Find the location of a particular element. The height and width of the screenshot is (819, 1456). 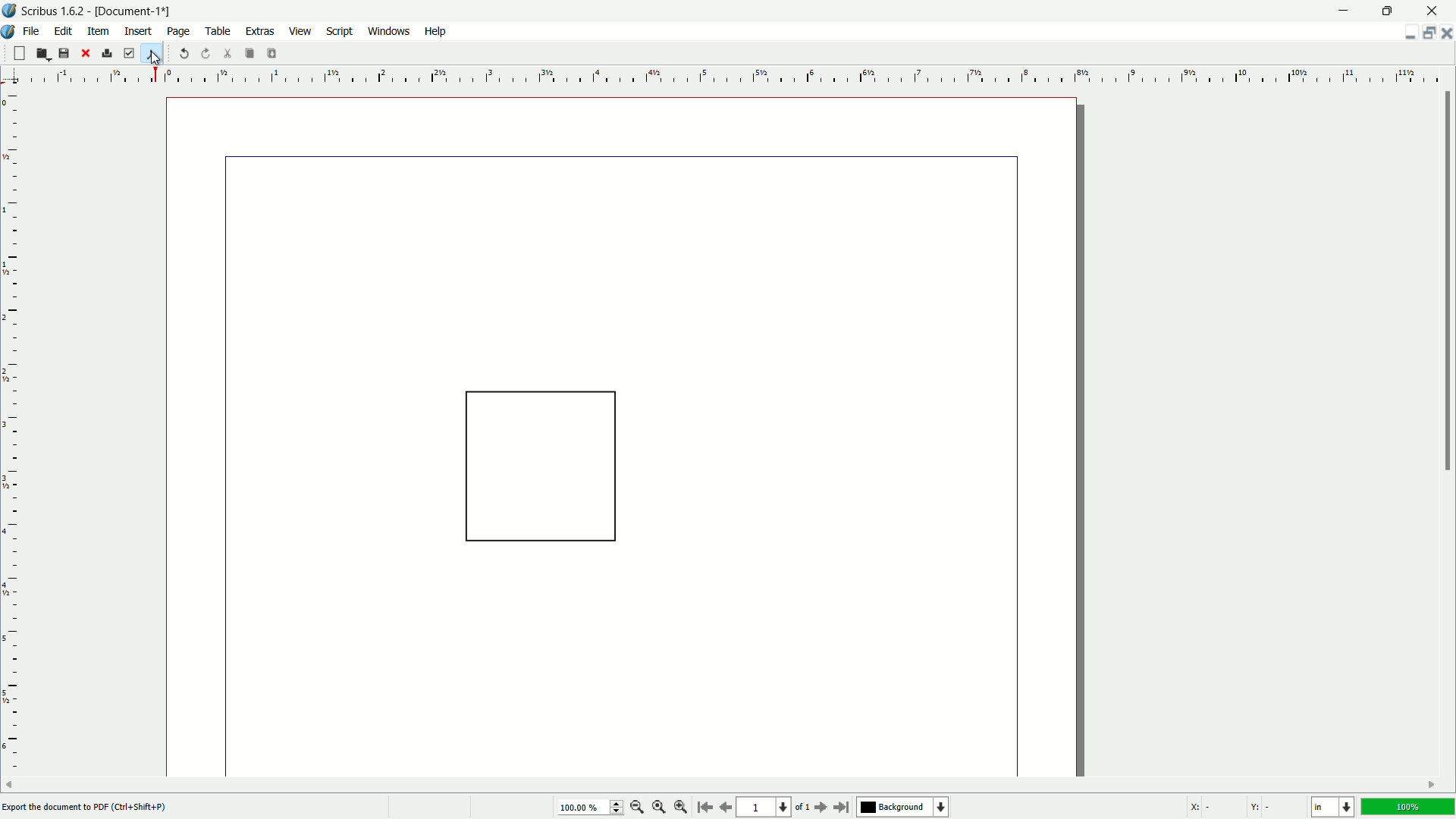

page number is located at coordinates (766, 808).